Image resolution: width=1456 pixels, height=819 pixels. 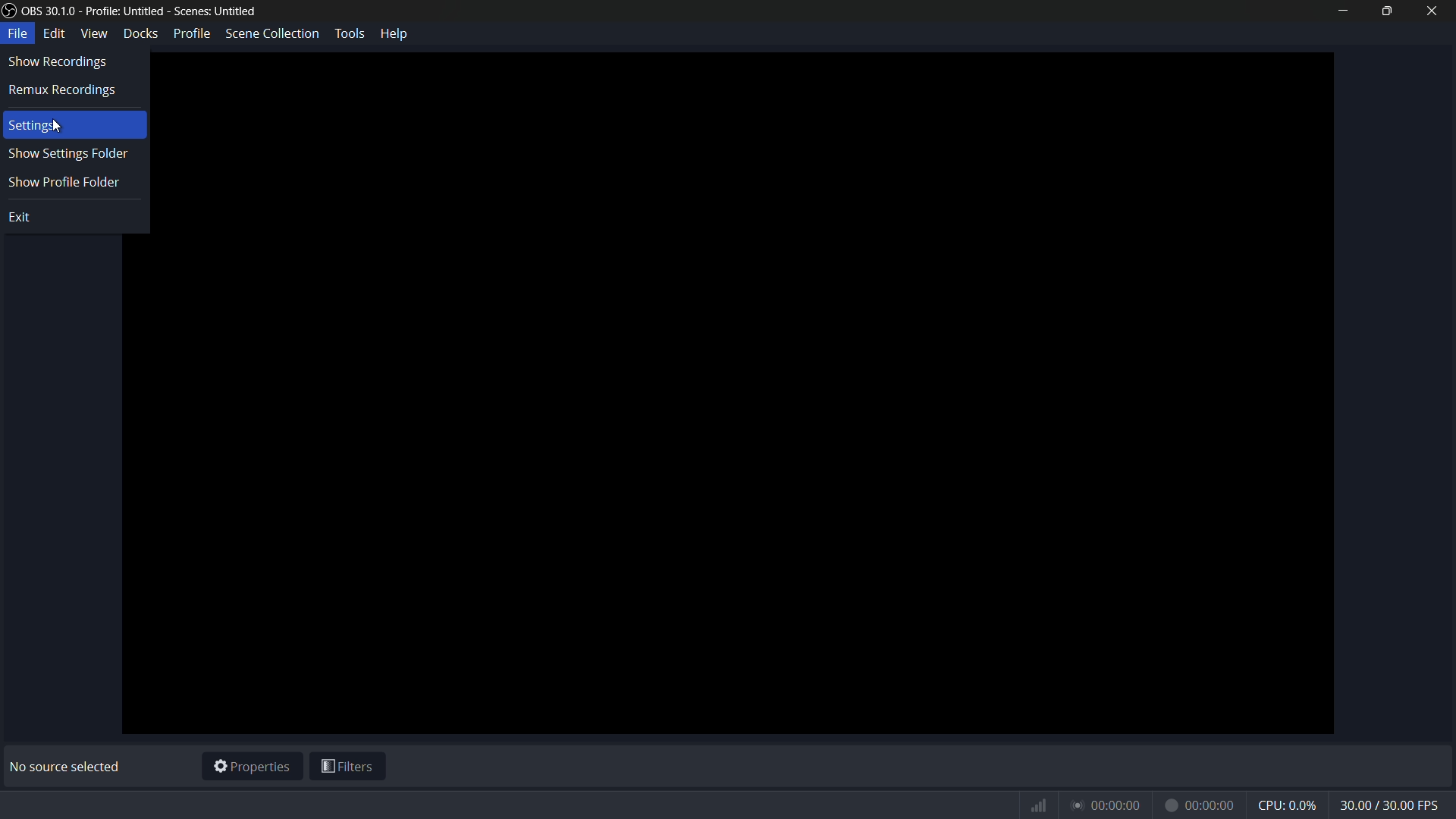 I want to click on maximize or restore, so click(x=1385, y=11).